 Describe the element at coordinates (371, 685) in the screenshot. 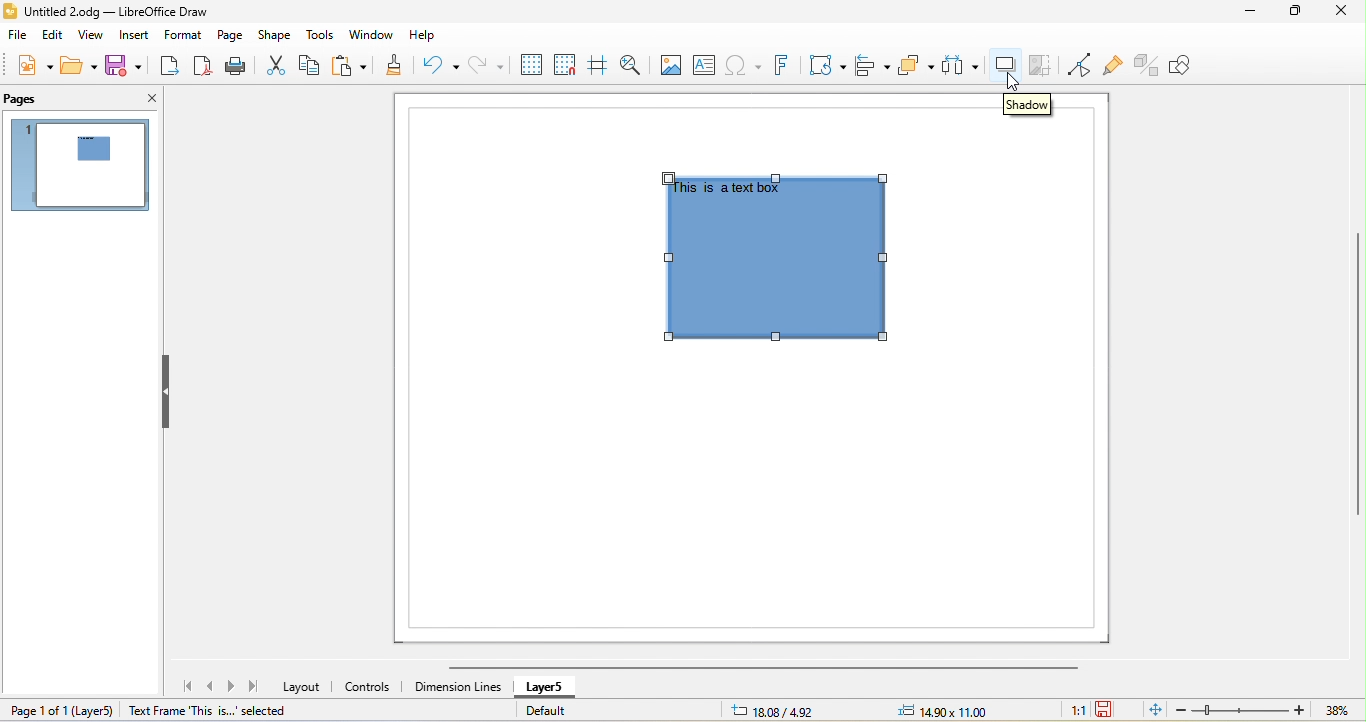

I see `controls` at that location.